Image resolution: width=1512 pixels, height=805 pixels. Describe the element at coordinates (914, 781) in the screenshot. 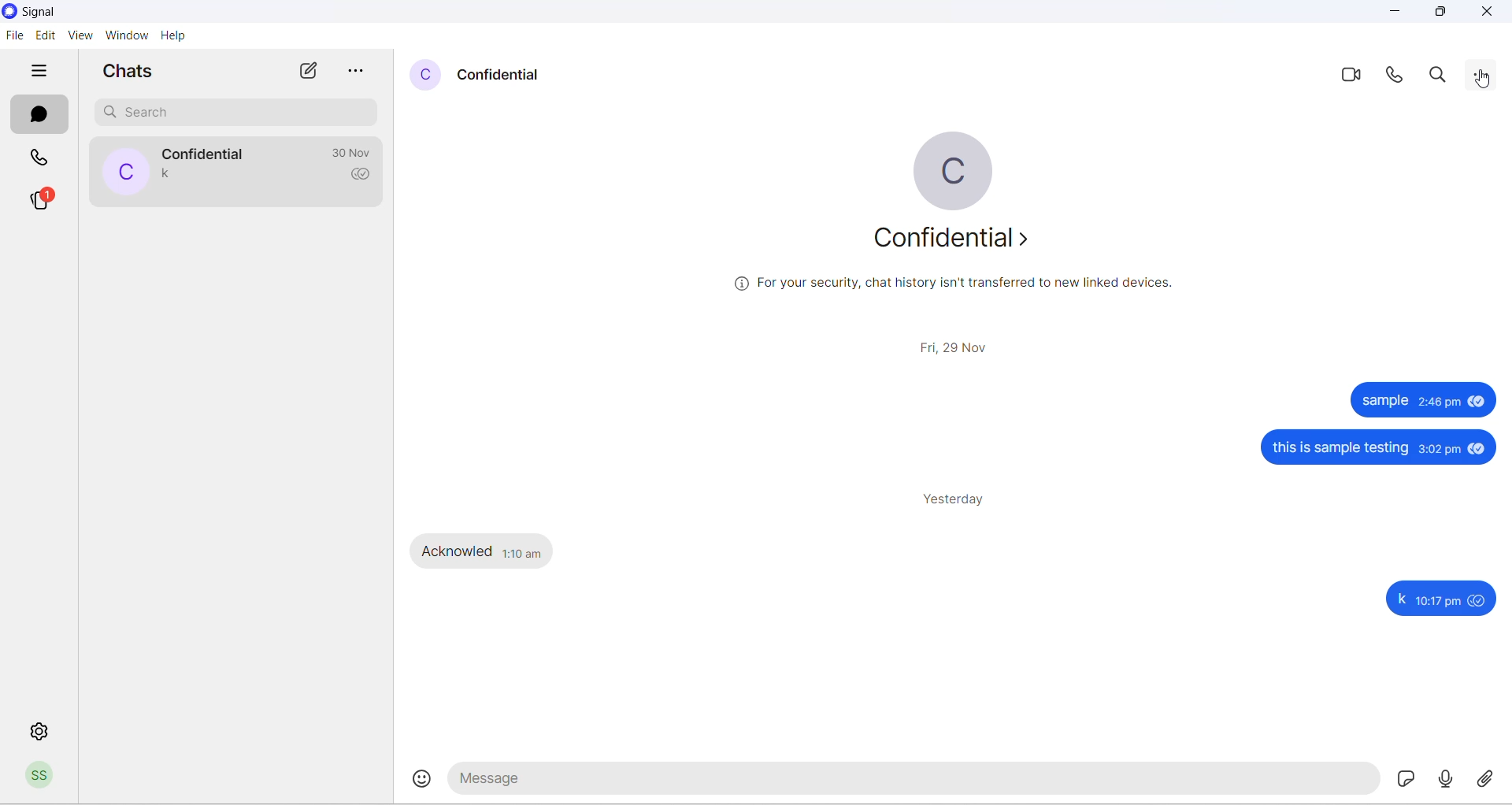

I see `message text area` at that location.